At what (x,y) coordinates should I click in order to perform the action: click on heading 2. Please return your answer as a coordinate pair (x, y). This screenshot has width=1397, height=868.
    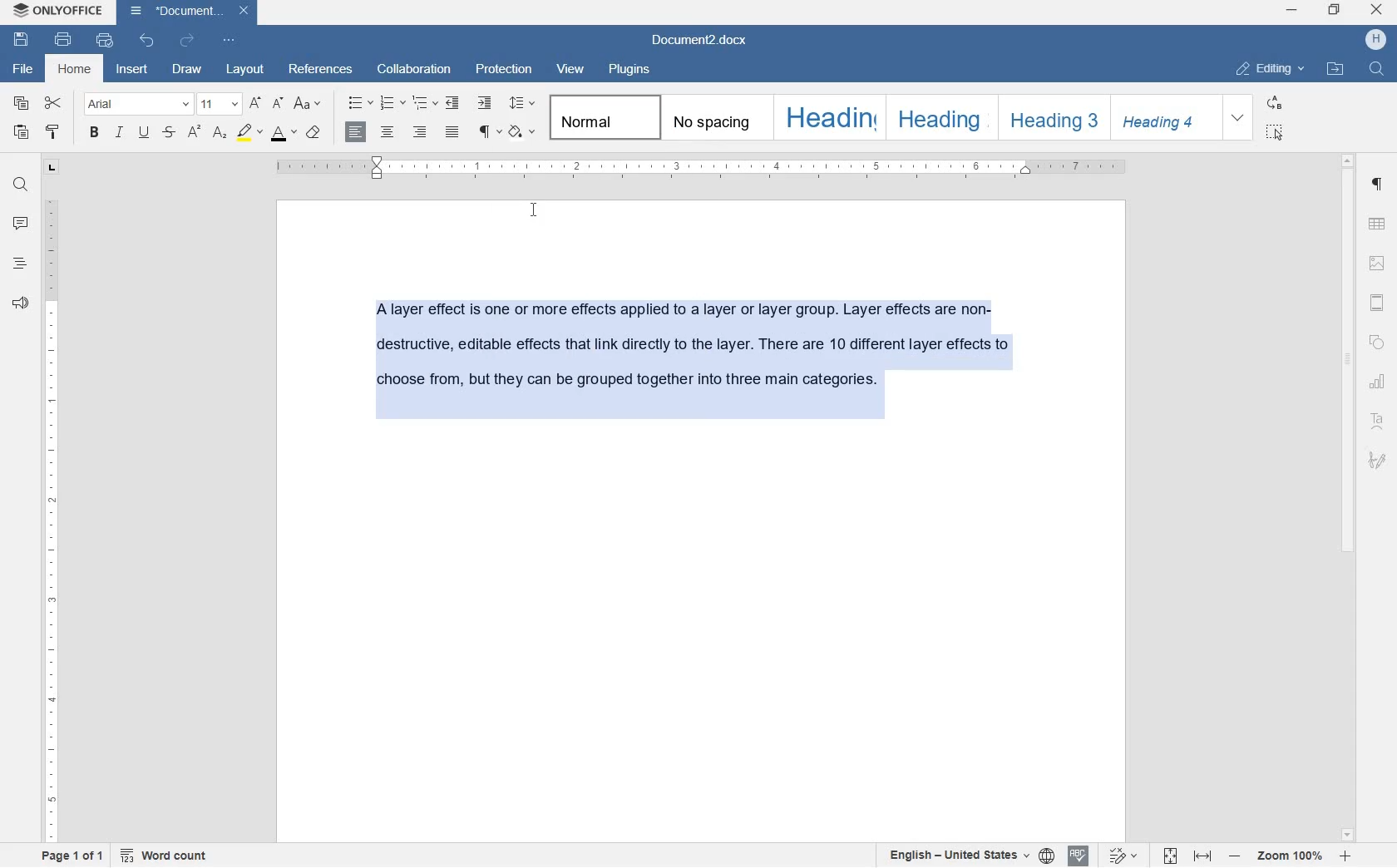
    Looking at the image, I should click on (940, 117).